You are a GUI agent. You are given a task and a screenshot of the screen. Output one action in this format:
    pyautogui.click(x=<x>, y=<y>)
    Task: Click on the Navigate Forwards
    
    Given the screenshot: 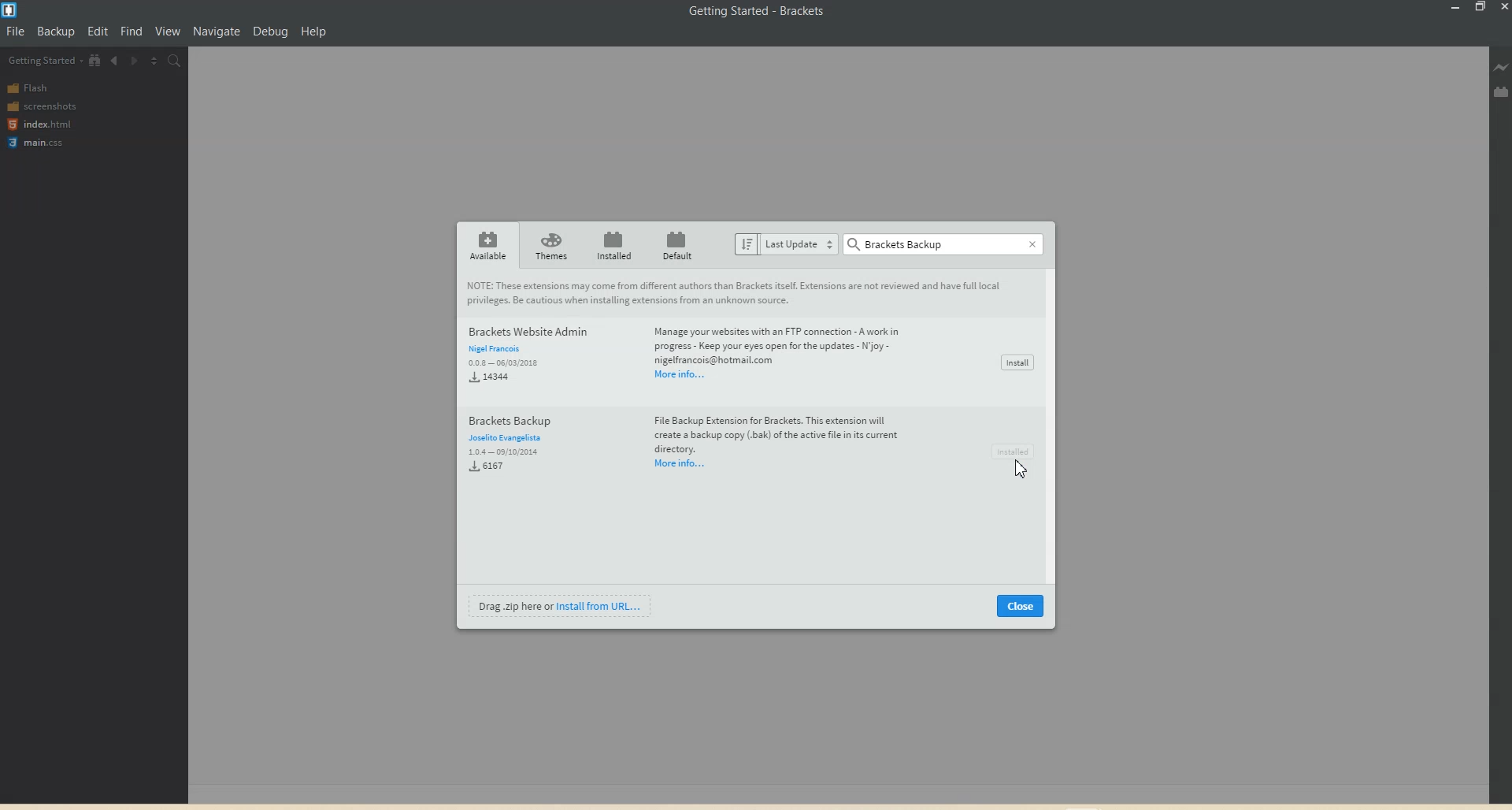 What is the action you would take?
    pyautogui.click(x=134, y=60)
    